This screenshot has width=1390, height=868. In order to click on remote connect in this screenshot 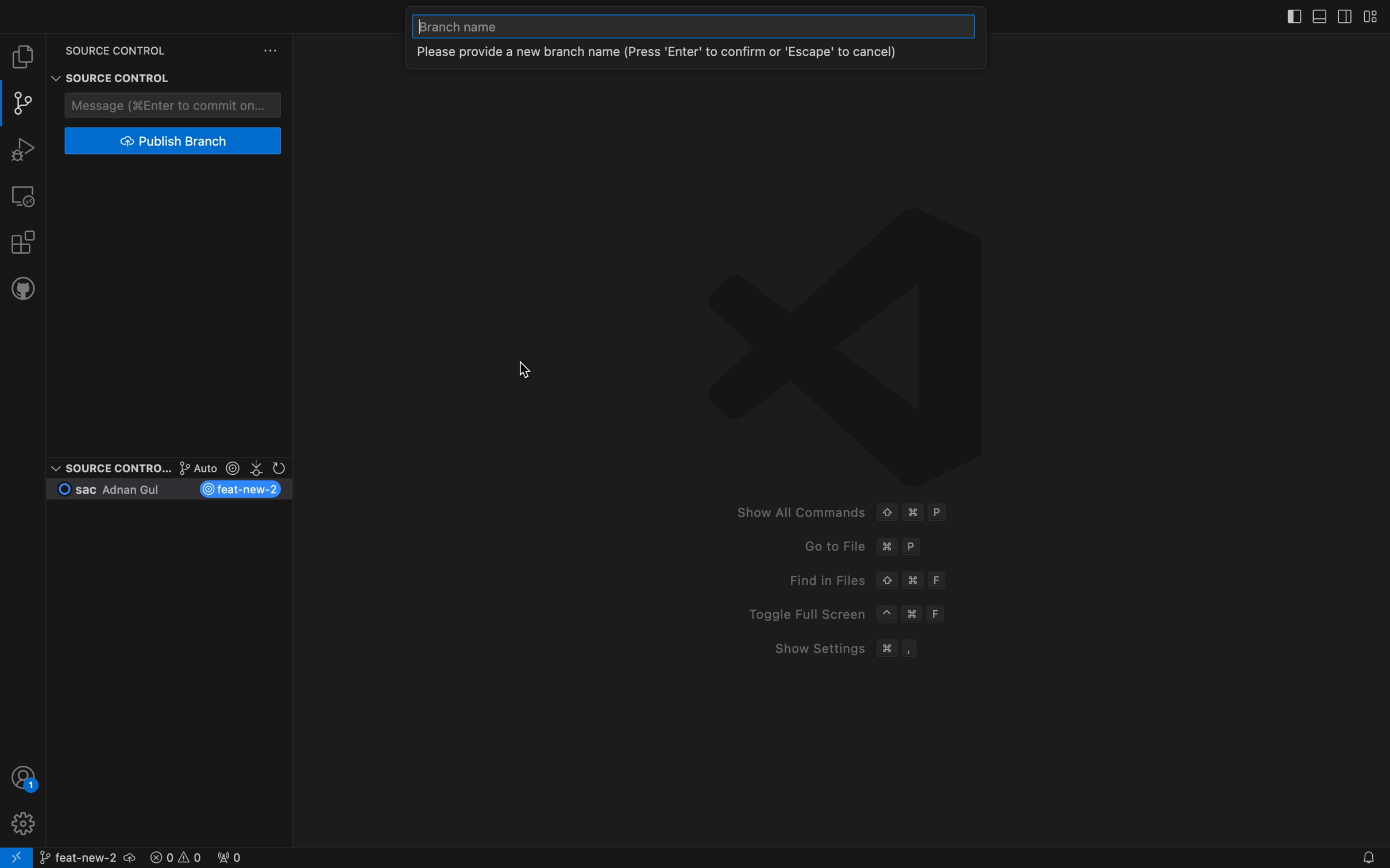, I will do `click(16, 858)`.